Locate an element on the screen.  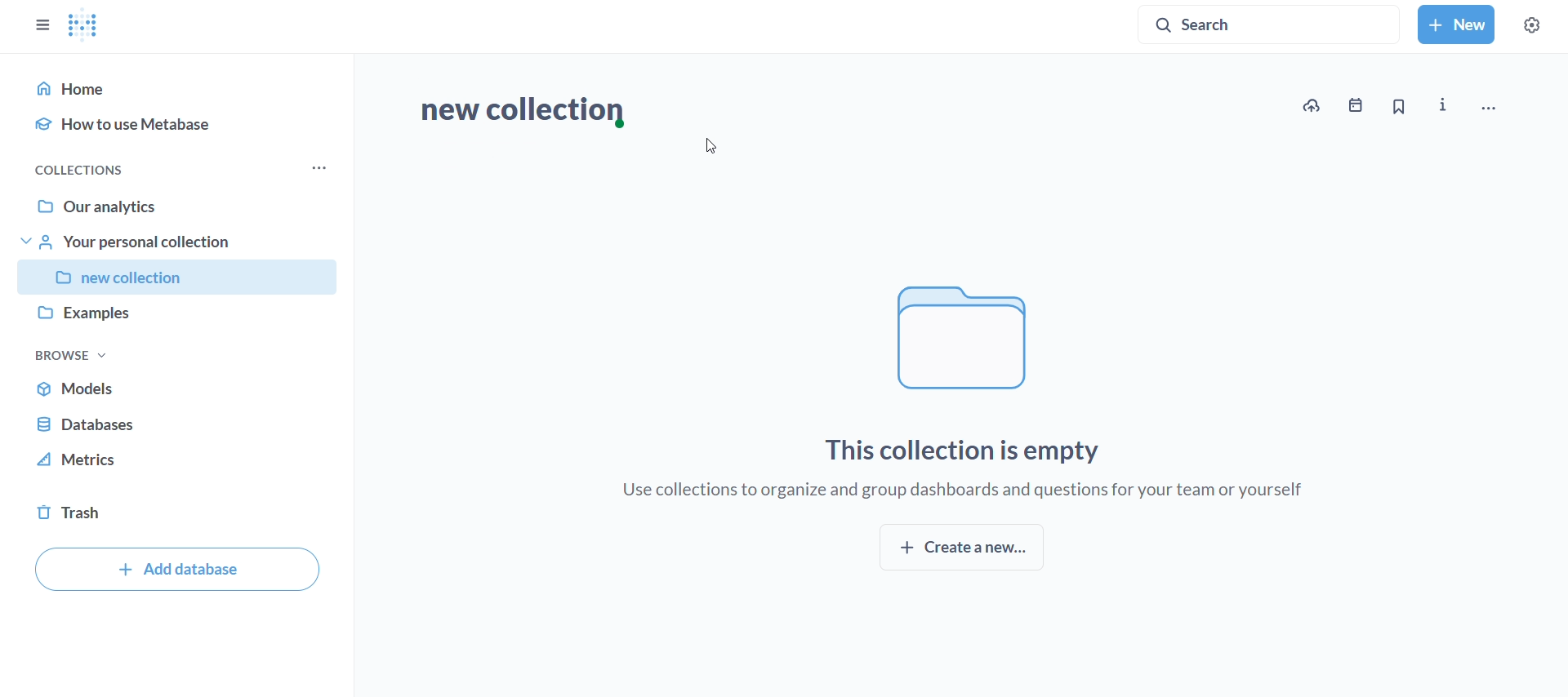
browse is located at coordinates (71, 355).